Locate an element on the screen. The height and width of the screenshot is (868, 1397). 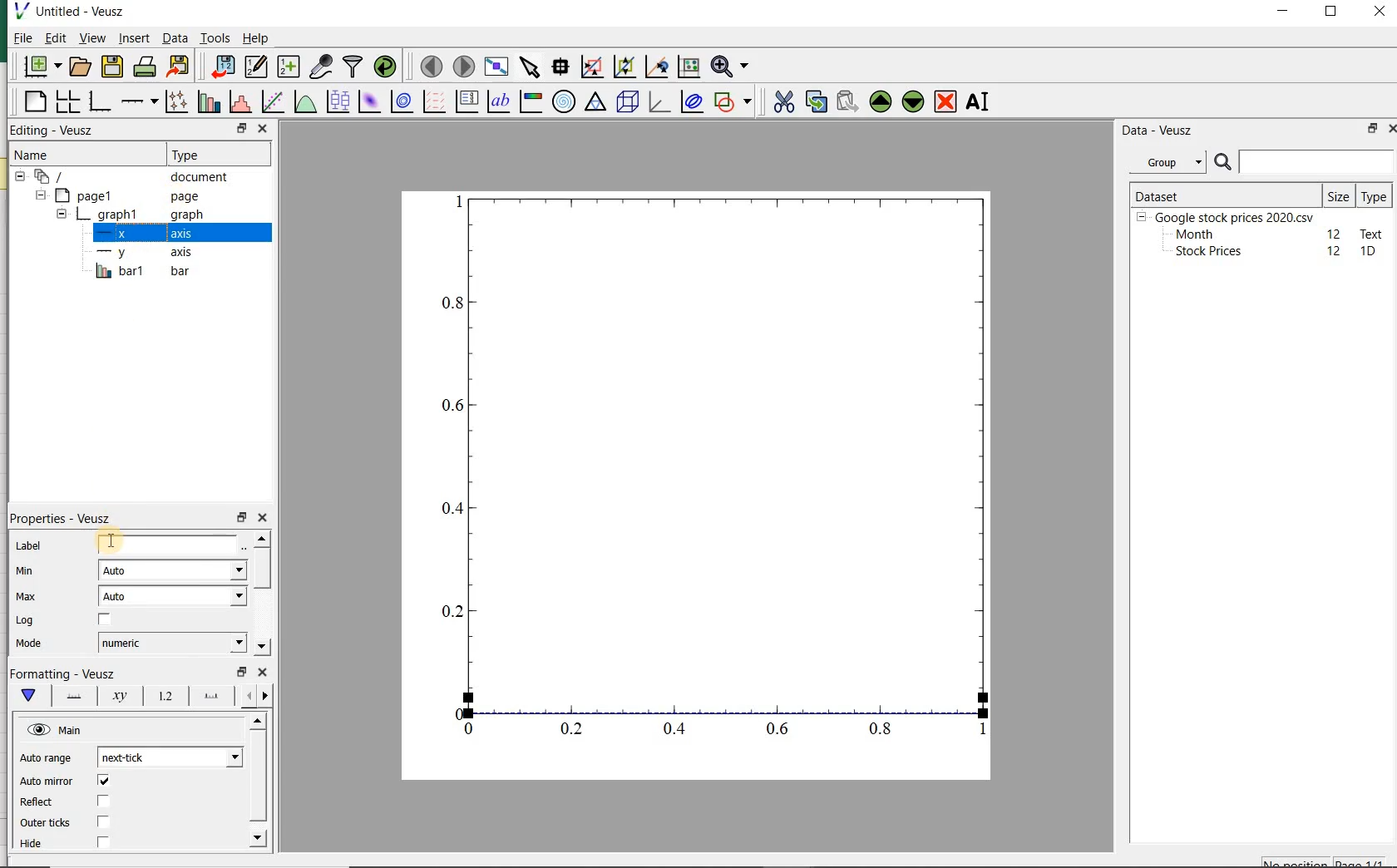
Max is located at coordinates (27, 598).